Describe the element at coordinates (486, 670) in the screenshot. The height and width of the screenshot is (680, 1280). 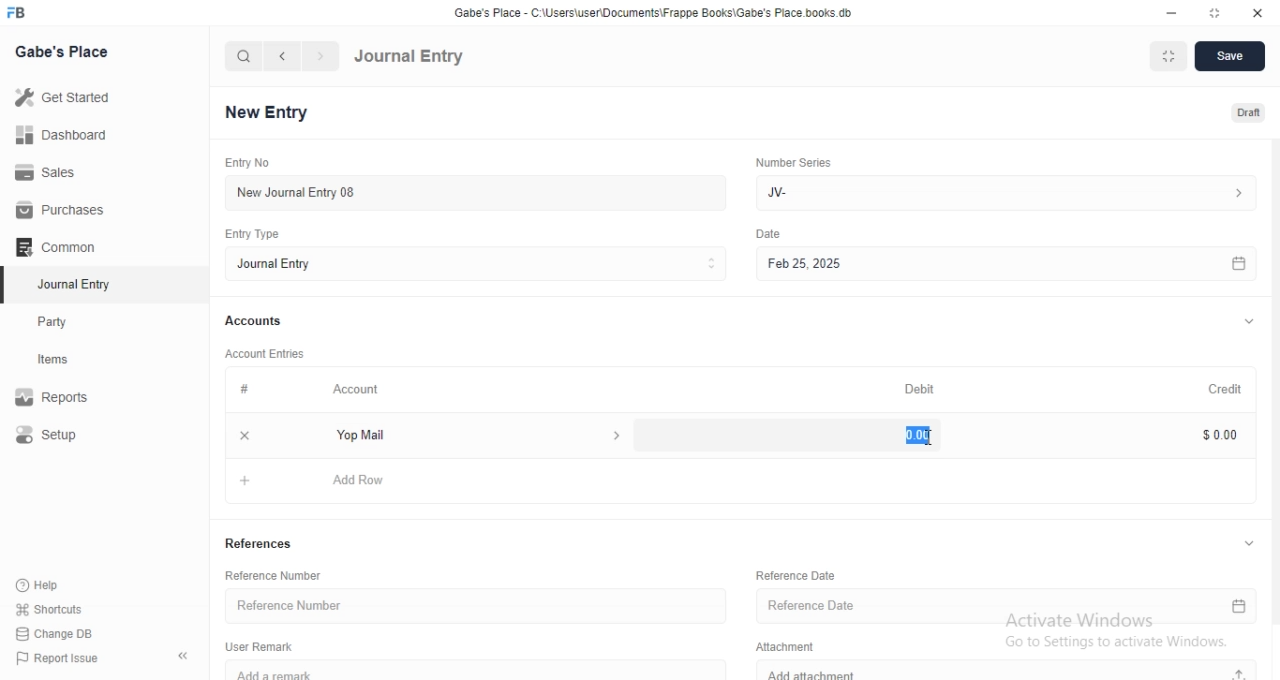
I see `Add a remark` at that location.